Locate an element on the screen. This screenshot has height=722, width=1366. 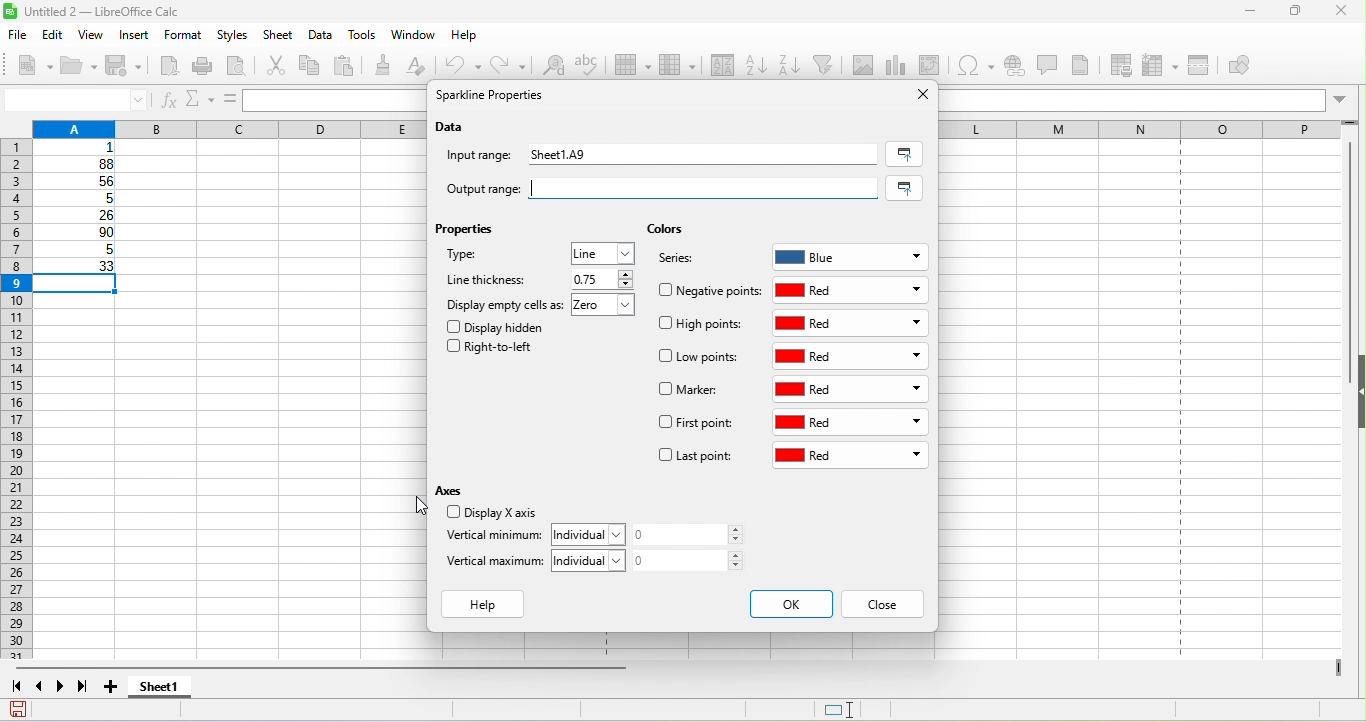
standard selection is located at coordinates (853, 710).